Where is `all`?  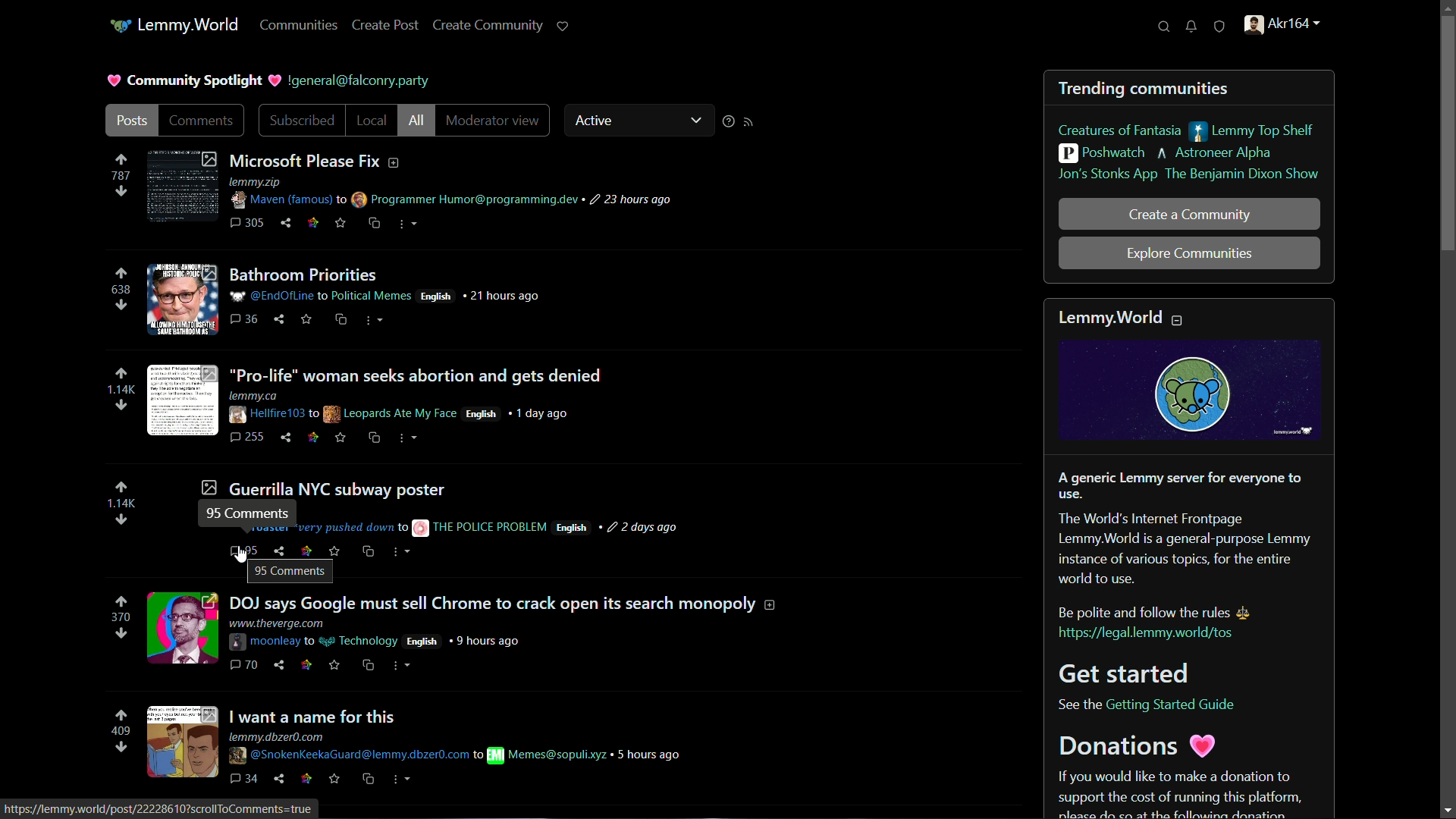 all is located at coordinates (418, 121).